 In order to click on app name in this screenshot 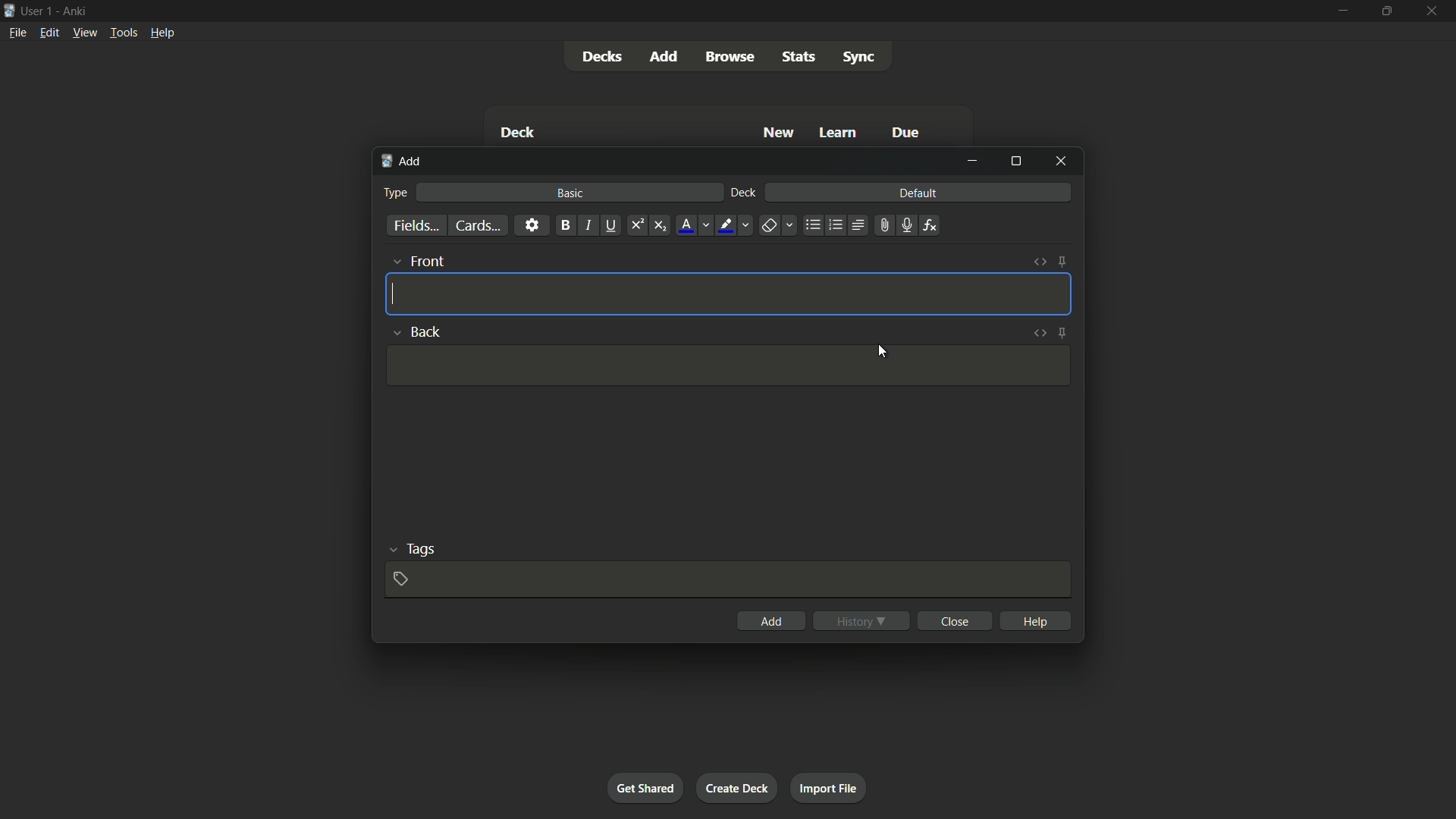, I will do `click(77, 11)`.